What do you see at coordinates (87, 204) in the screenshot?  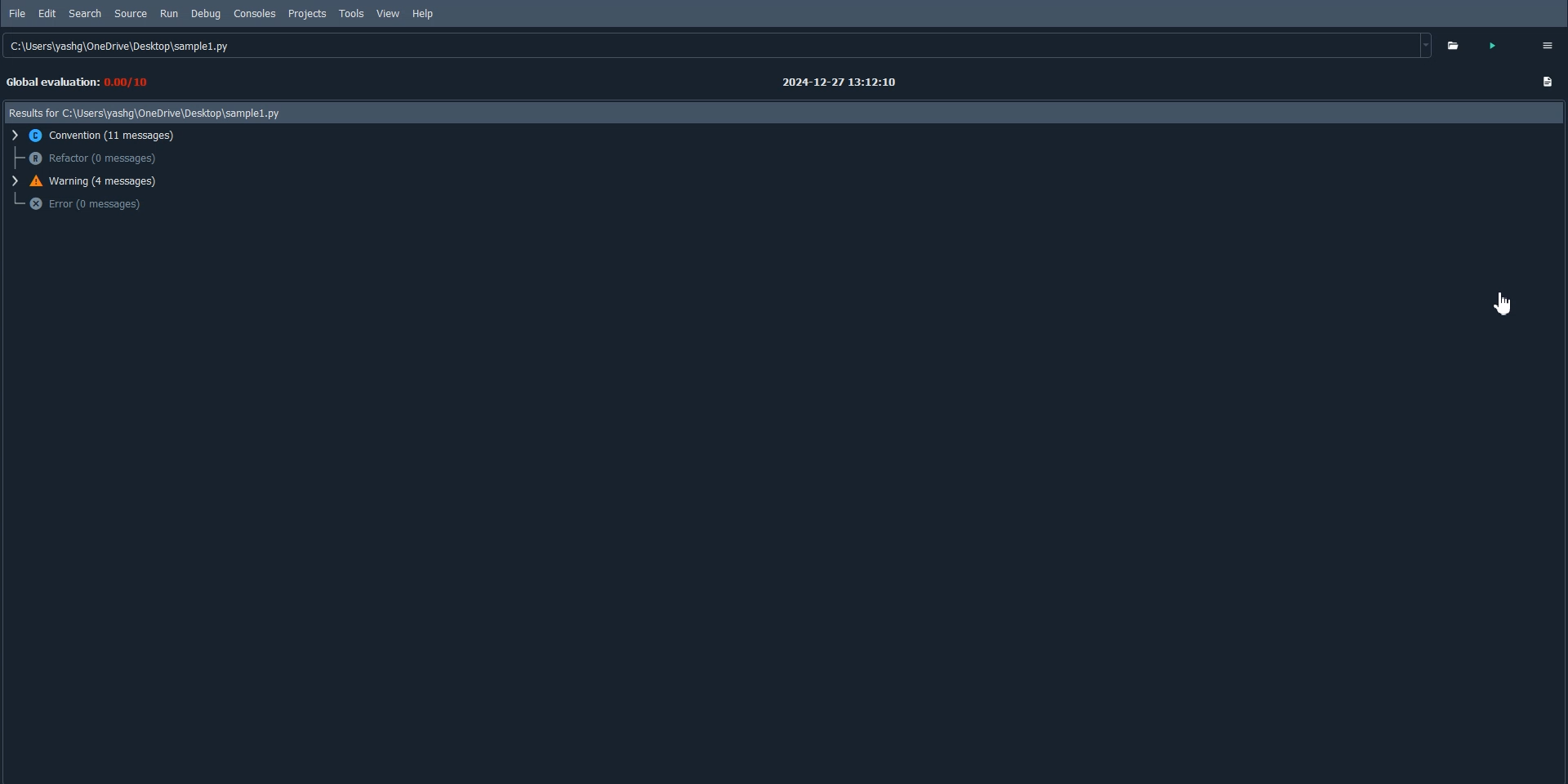 I see `Error` at bounding box center [87, 204].